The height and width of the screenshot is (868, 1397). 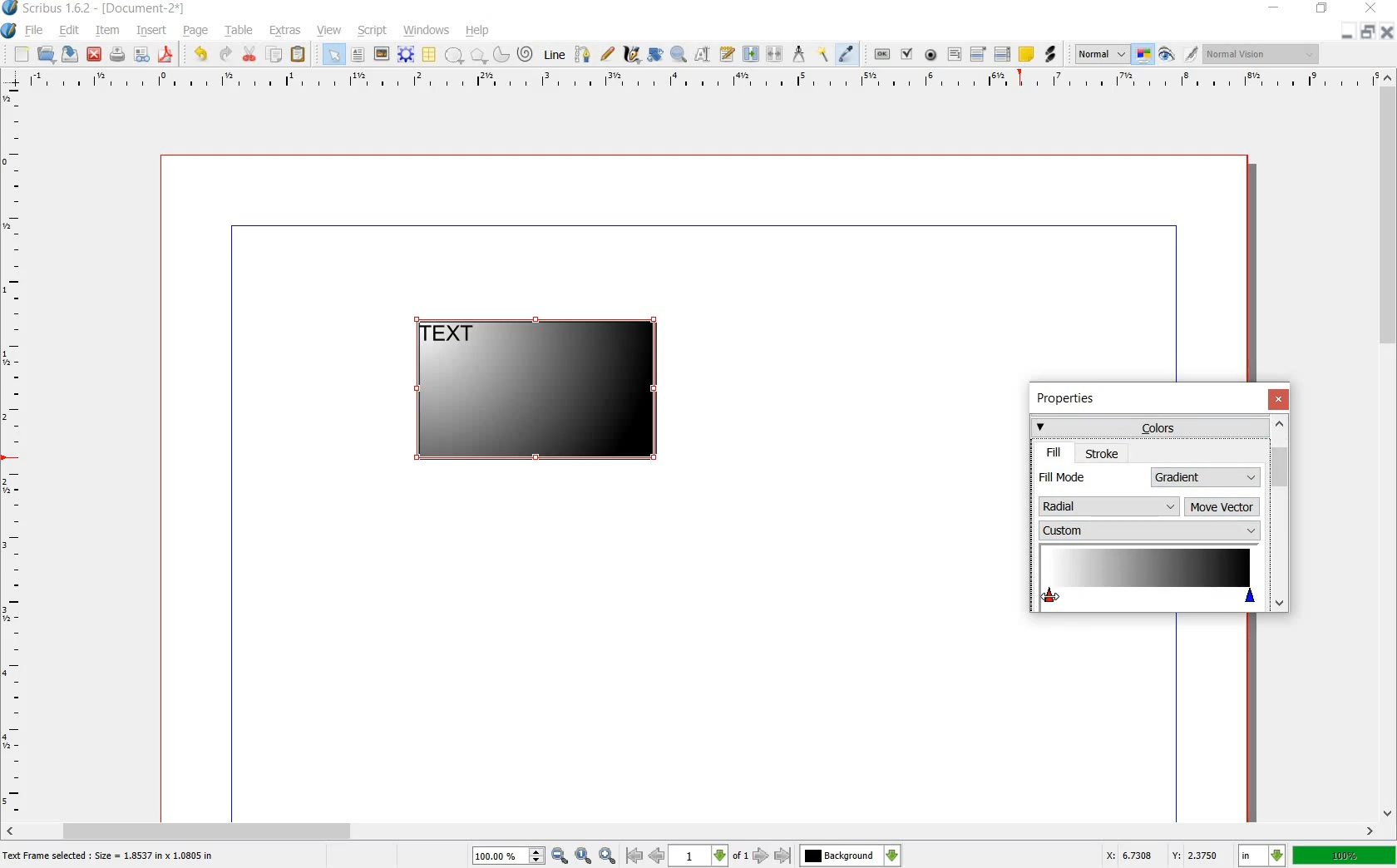 What do you see at coordinates (373, 31) in the screenshot?
I see `script` at bounding box center [373, 31].